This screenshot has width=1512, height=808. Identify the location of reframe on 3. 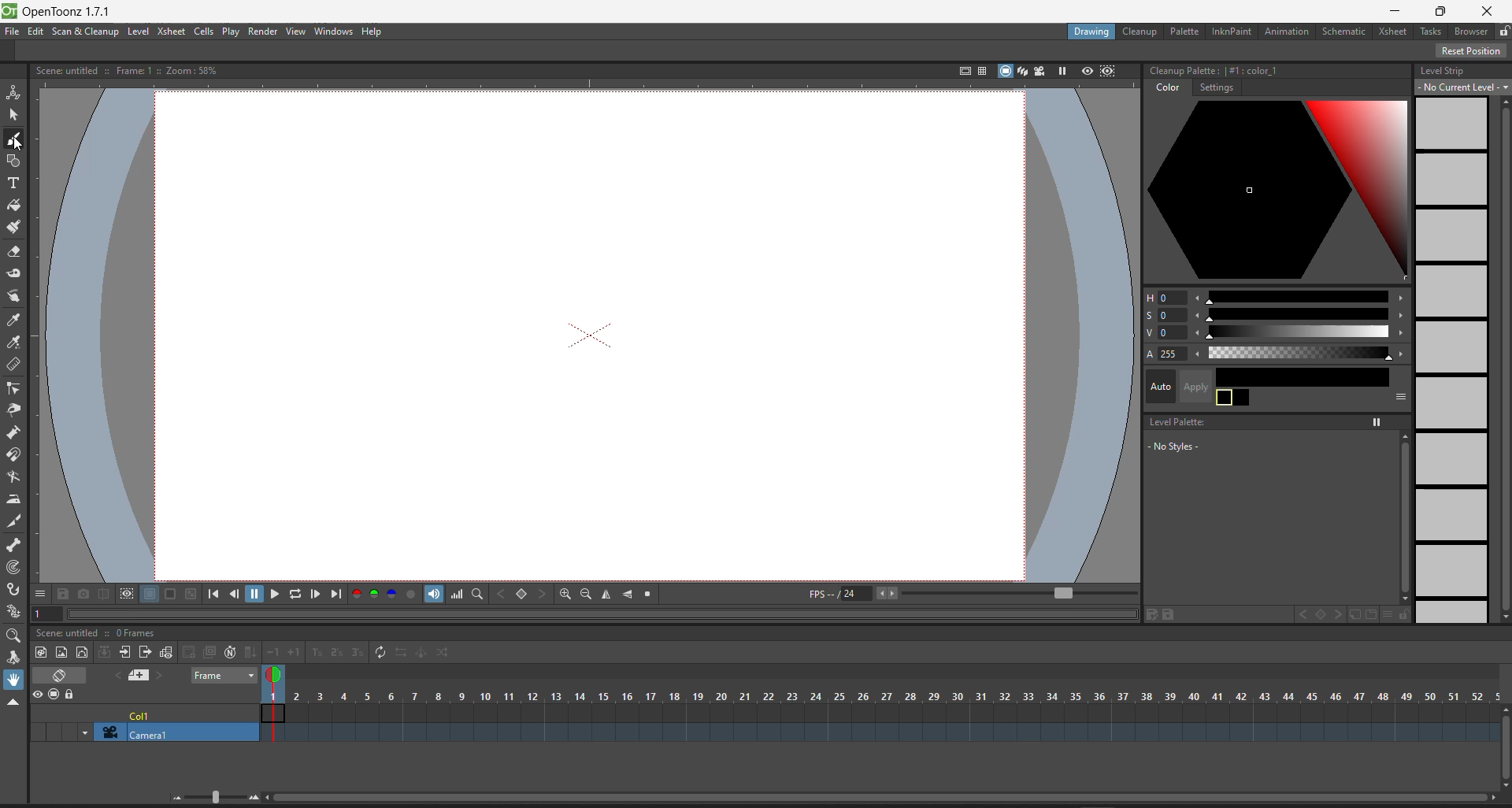
(356, 652).